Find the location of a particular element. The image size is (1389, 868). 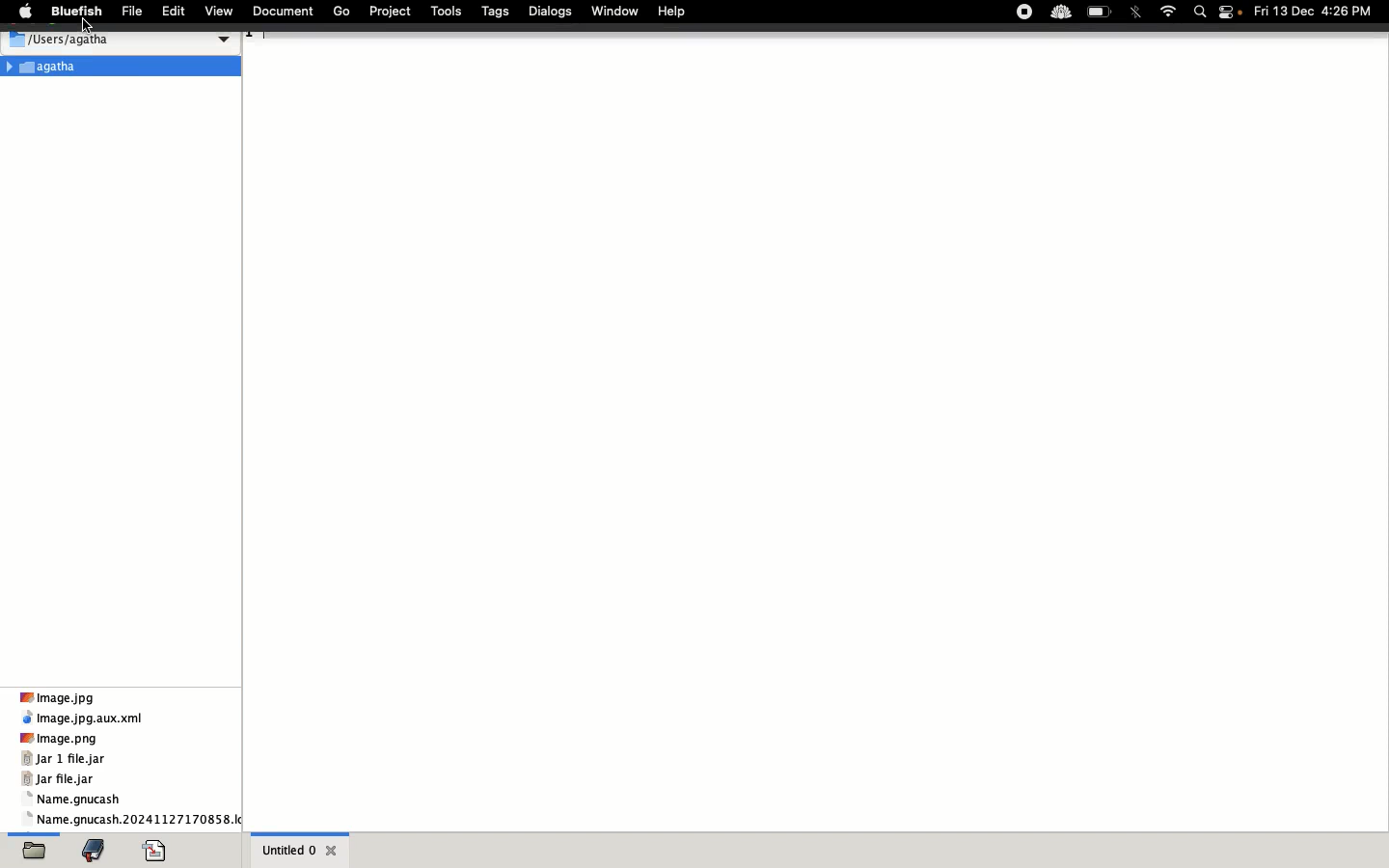

Files is located at coordinates (133, 810).